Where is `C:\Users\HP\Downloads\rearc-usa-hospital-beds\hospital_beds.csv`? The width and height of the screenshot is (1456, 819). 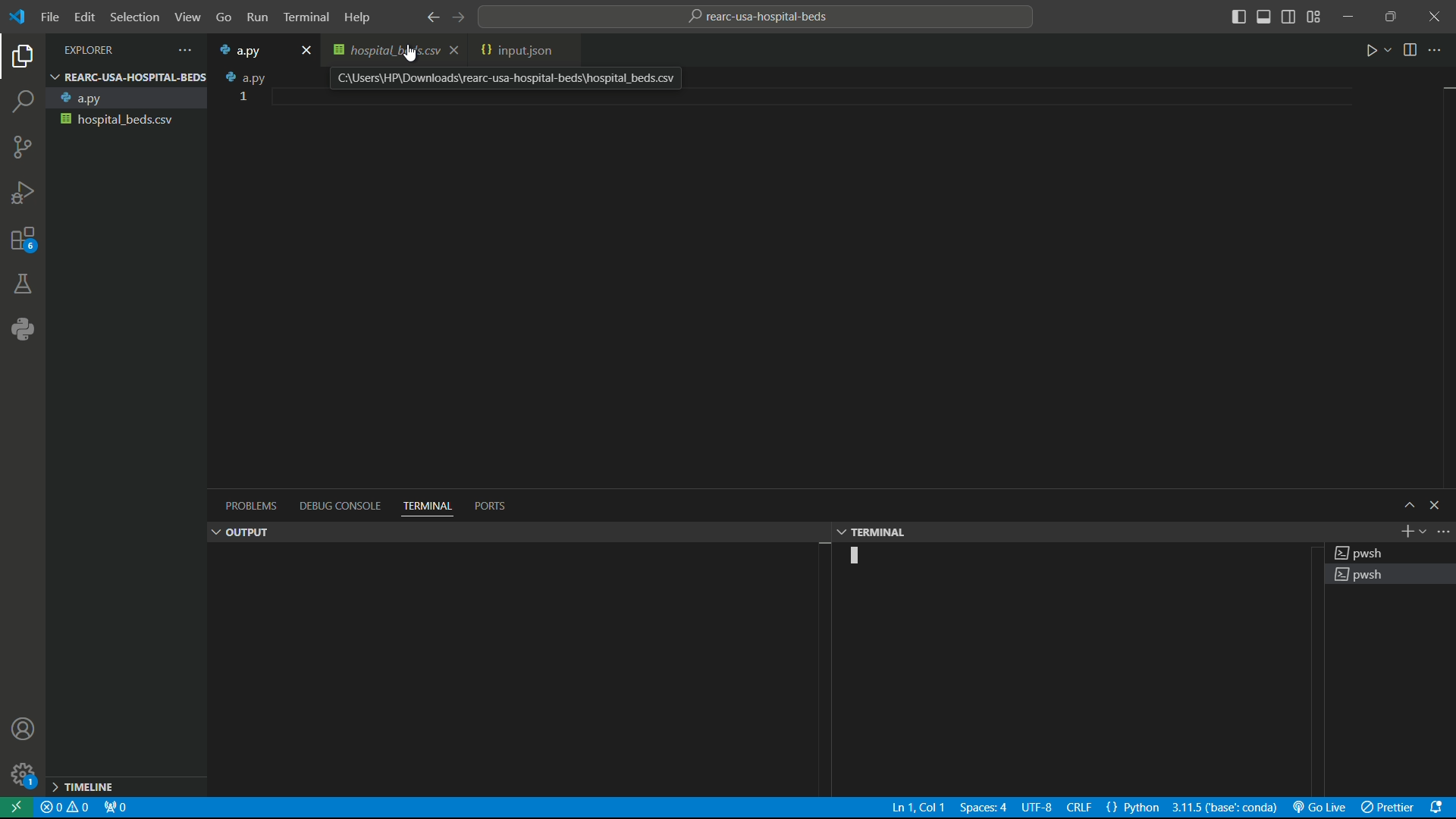
C:\Users\HP\Downloads\rearc-usa-hospital-beds\hospital_beds.csv is located at coordinates (508, 79).